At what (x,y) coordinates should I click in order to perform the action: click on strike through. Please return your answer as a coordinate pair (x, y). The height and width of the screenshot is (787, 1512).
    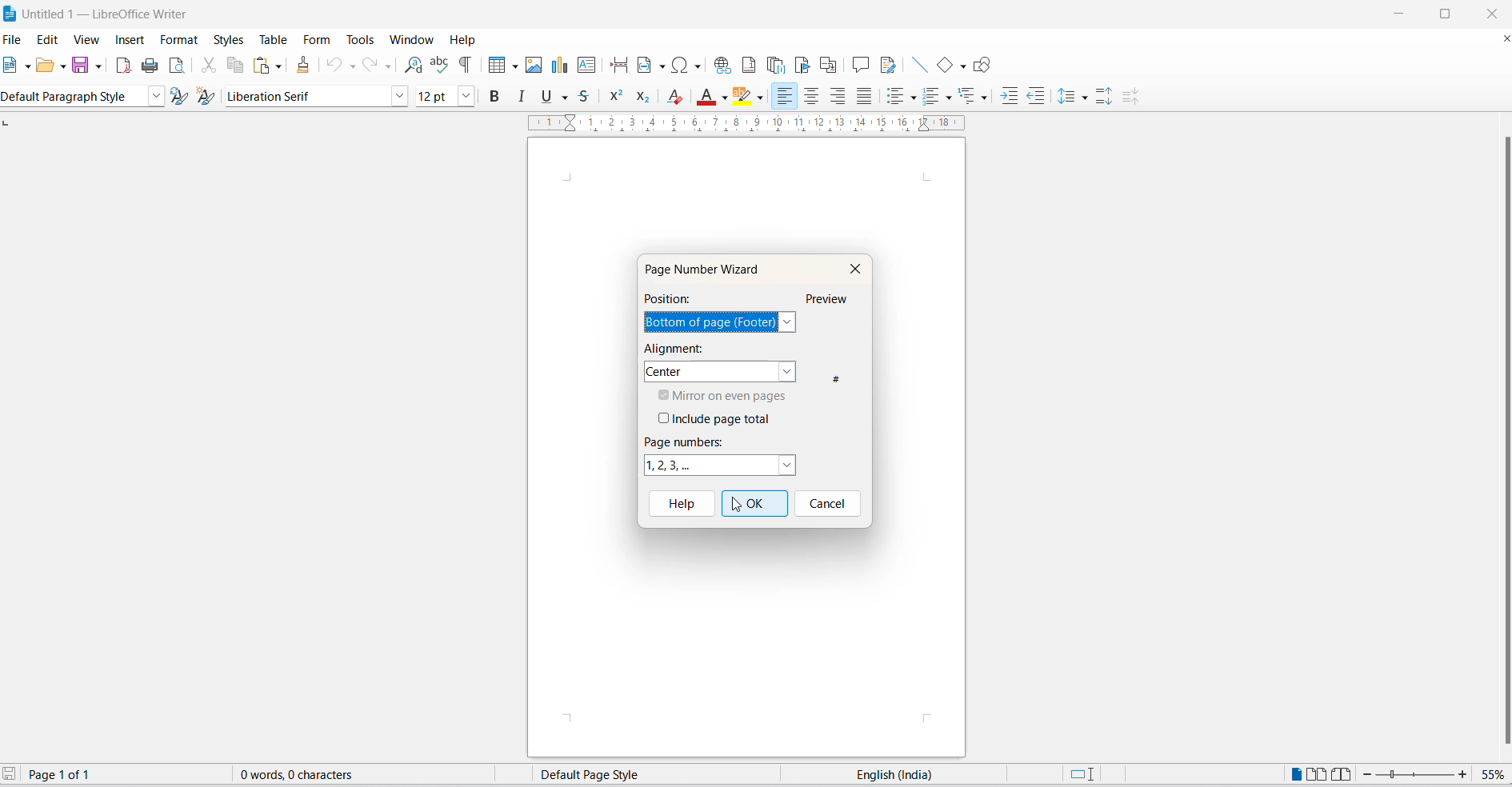
    Looking at the image, I should click on (586, 96).